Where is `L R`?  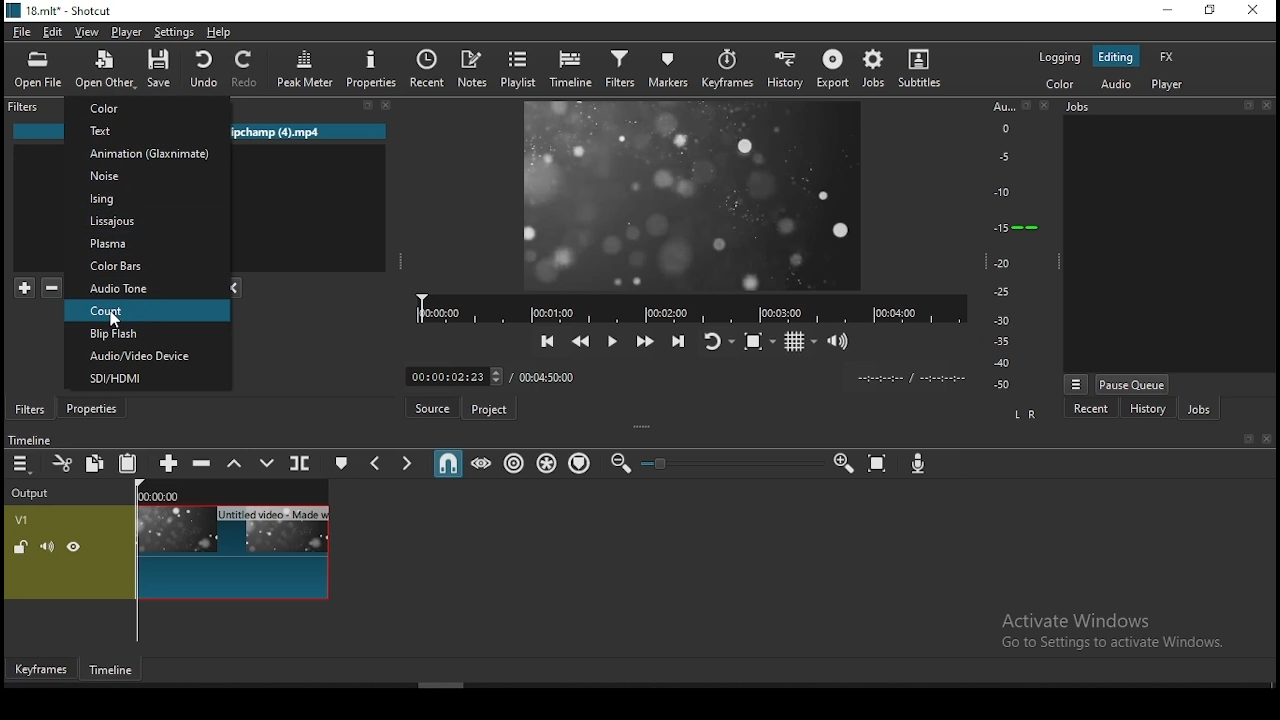 L R is located at coordinates (1030, 414).